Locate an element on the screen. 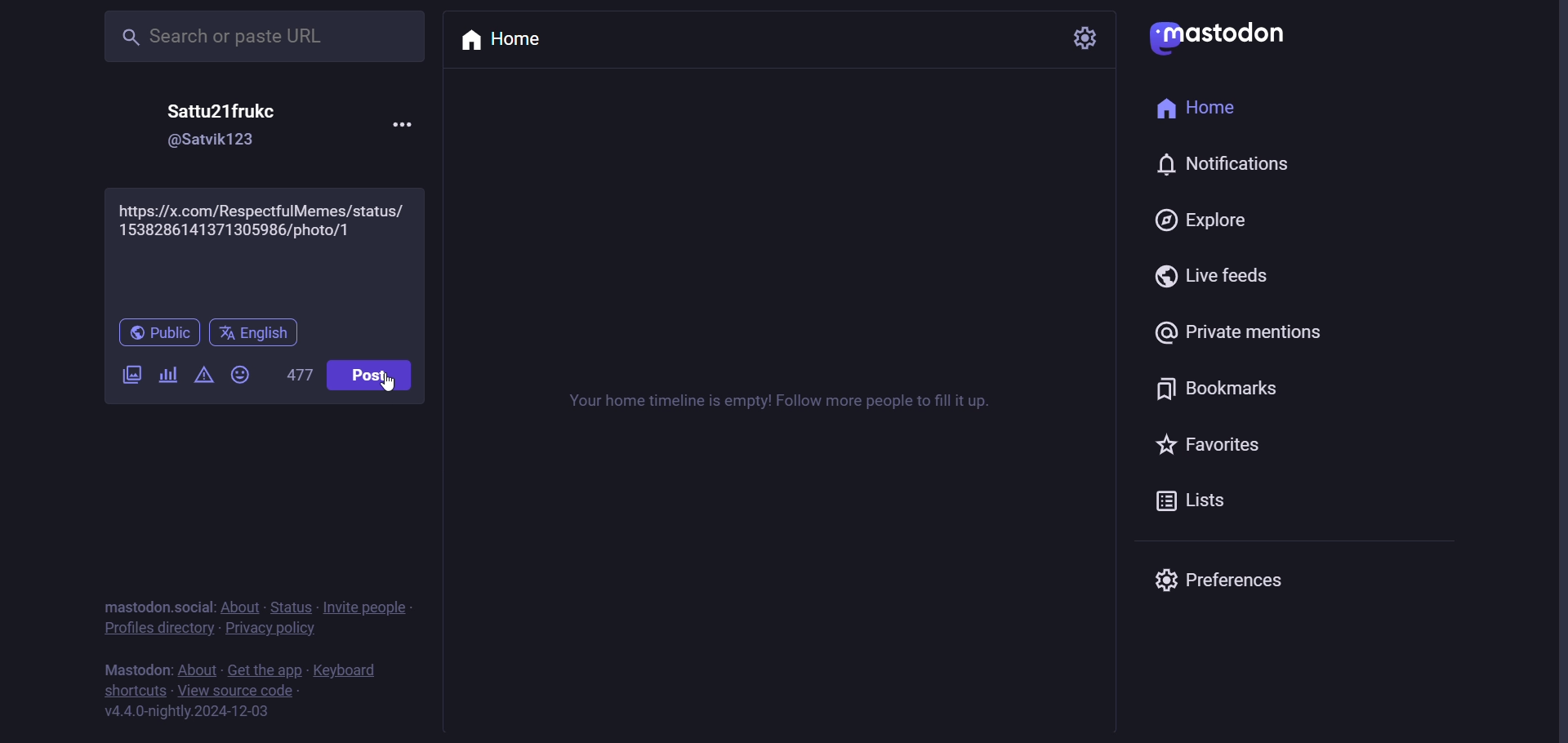 Image resolution: width=1568 pixels, height=743 pixels. Search or paste URL is located at coordinates (247, 36).